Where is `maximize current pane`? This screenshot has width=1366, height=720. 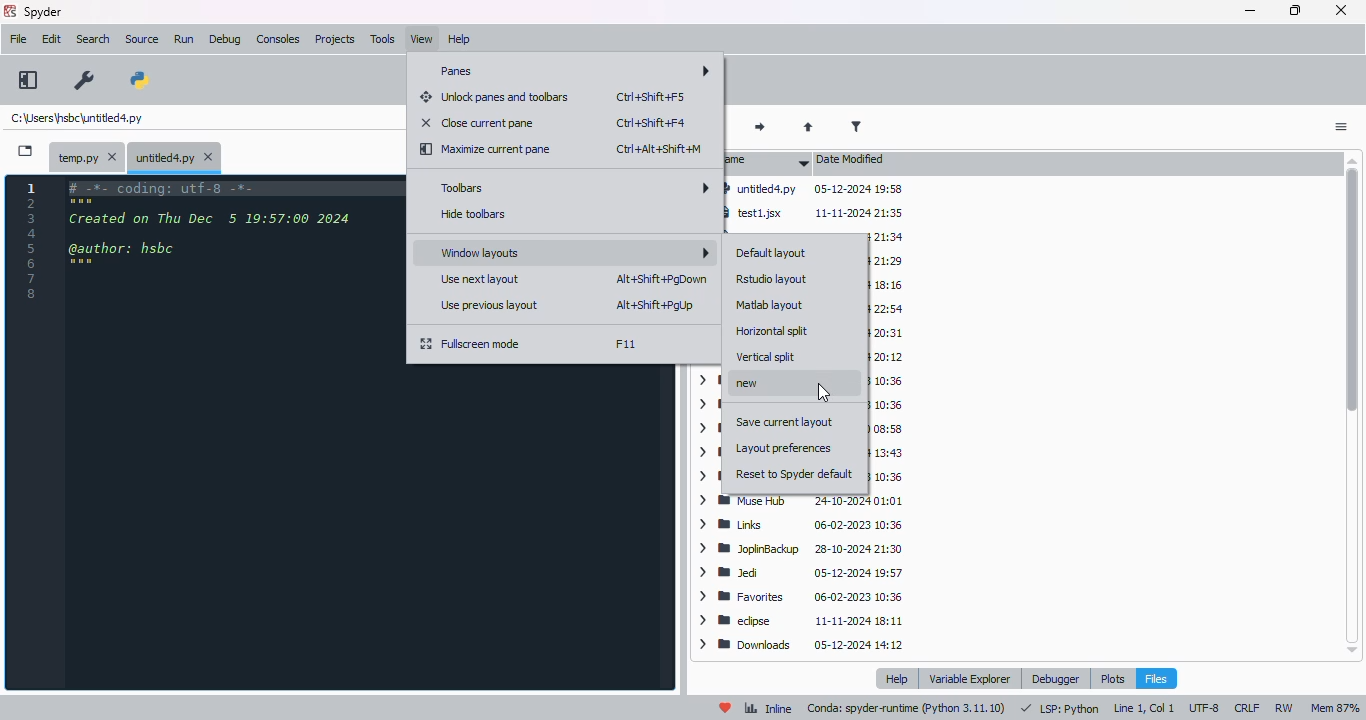 maximize current pane is located at coordinates (487, 150).